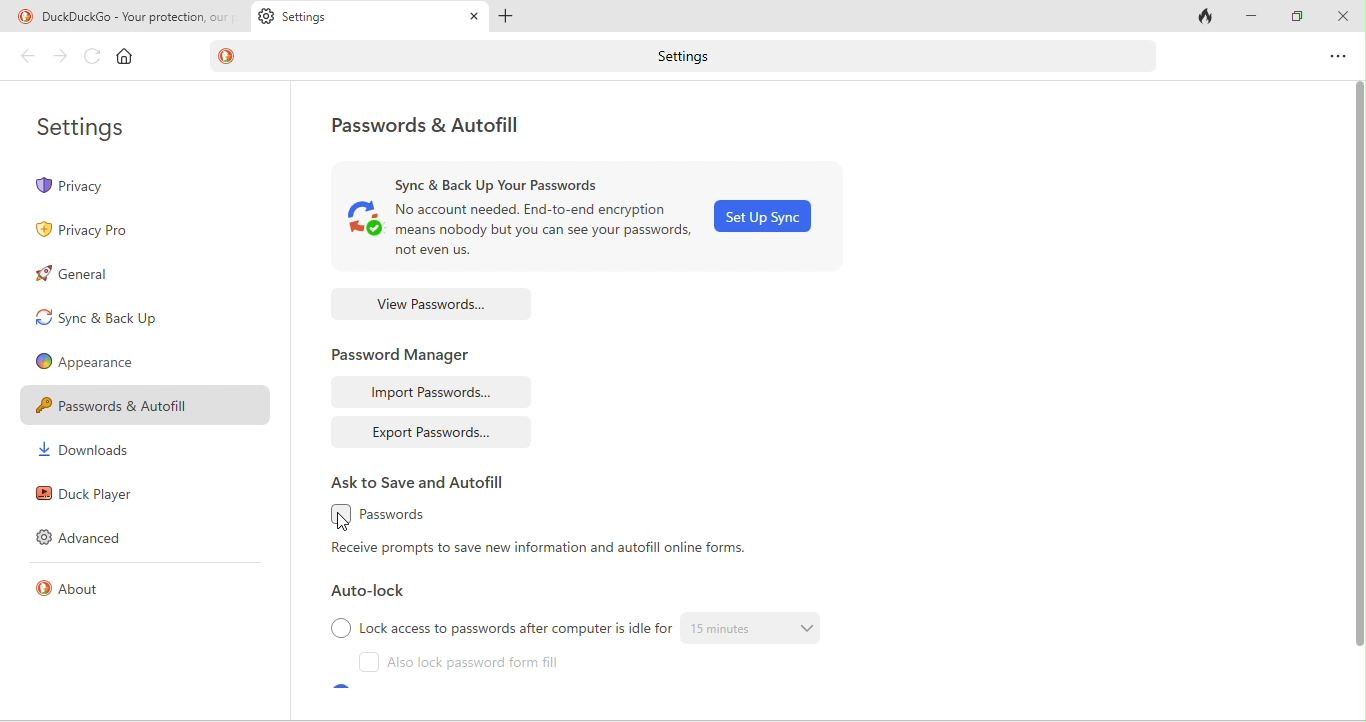 This screenshot has height=722, width=1366. What do you see at coordinates (521, 180) in the screenshot?
I see `sync and back up password ` at bounding box center [521, 180].